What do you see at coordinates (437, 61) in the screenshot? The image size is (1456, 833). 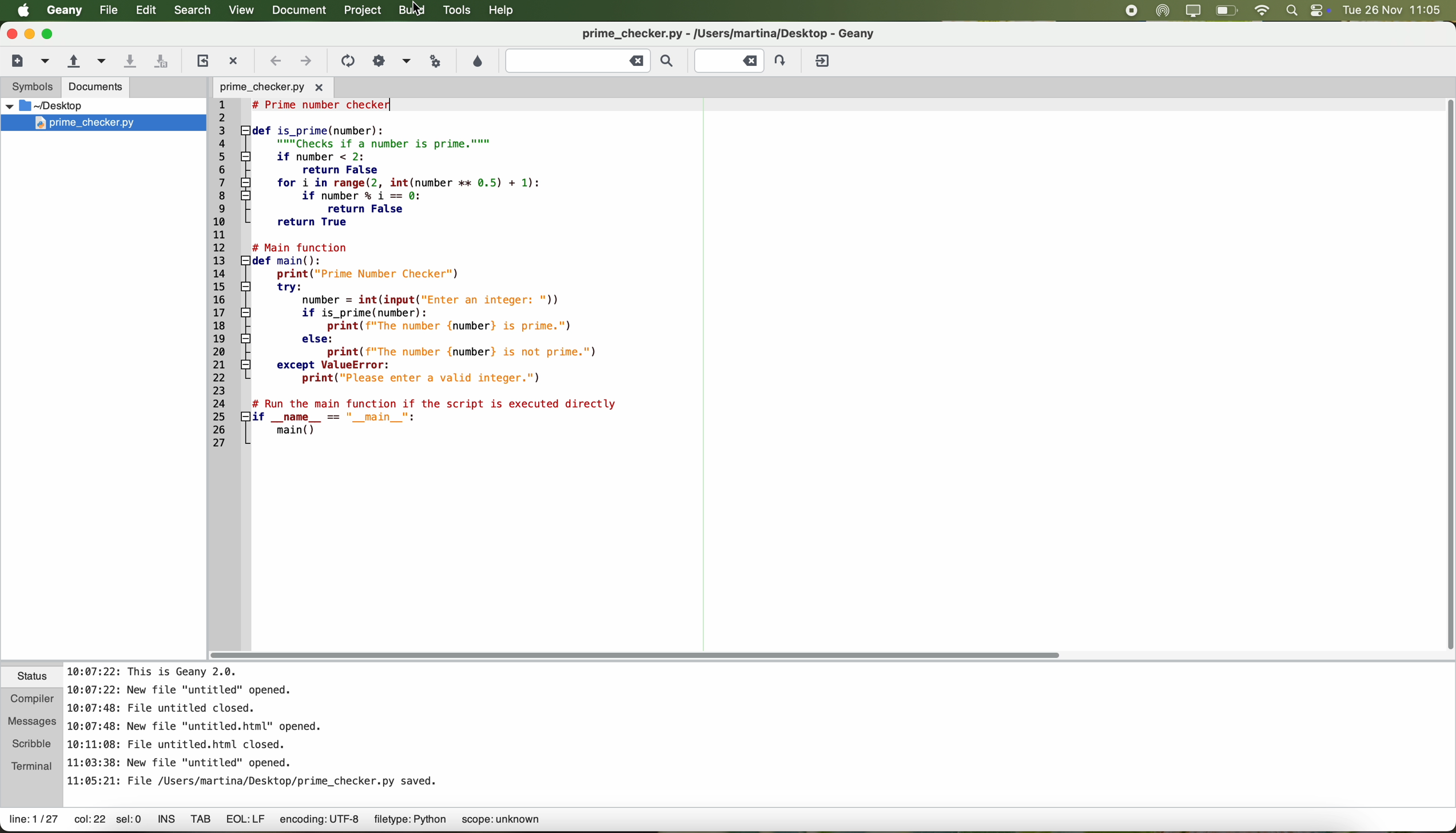 I see `run or view the current file` at bounding box center [437, 61].